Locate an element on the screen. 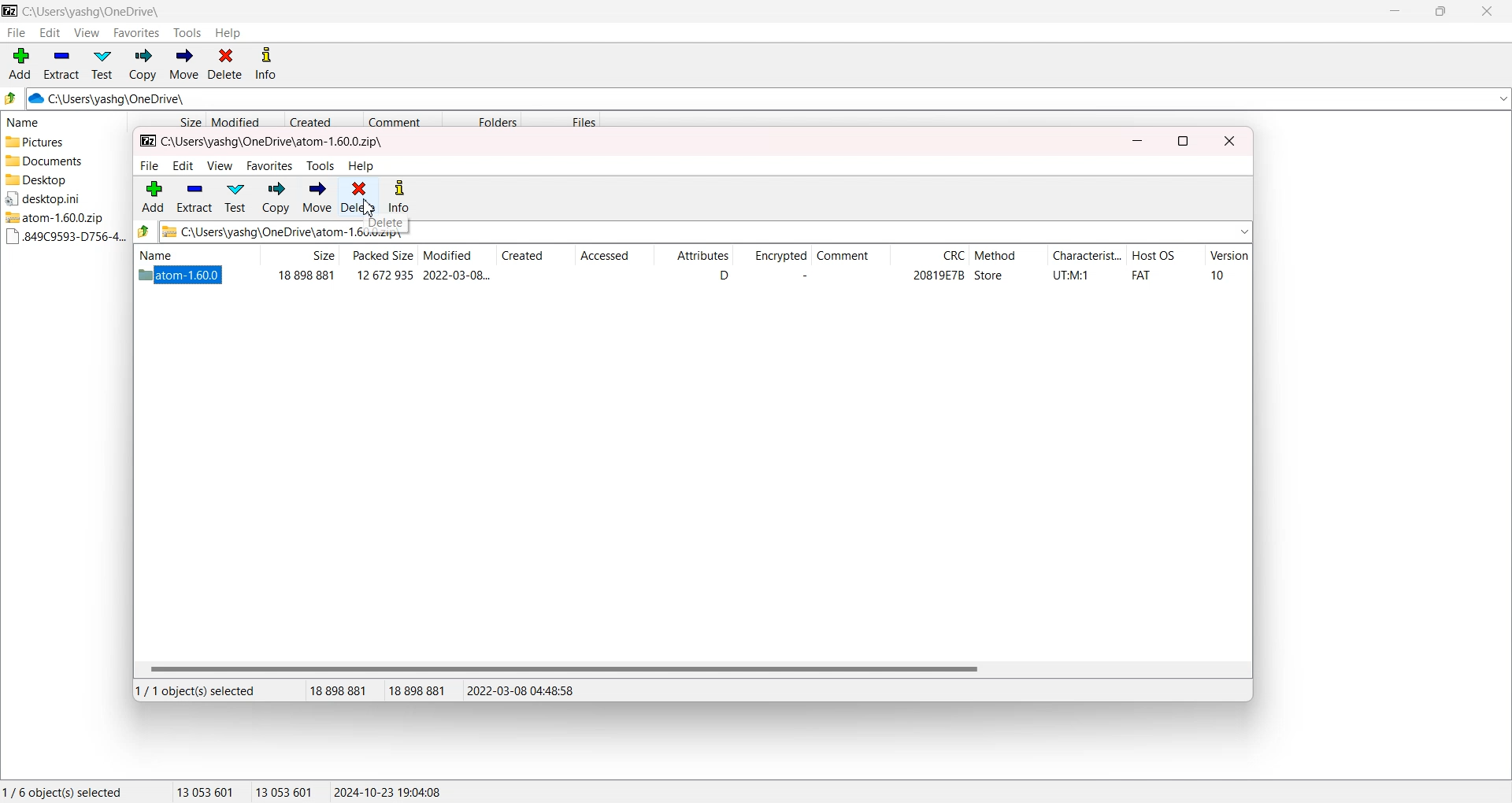  2024-10-23 19:04:08 is located at coordinates (389, 791).